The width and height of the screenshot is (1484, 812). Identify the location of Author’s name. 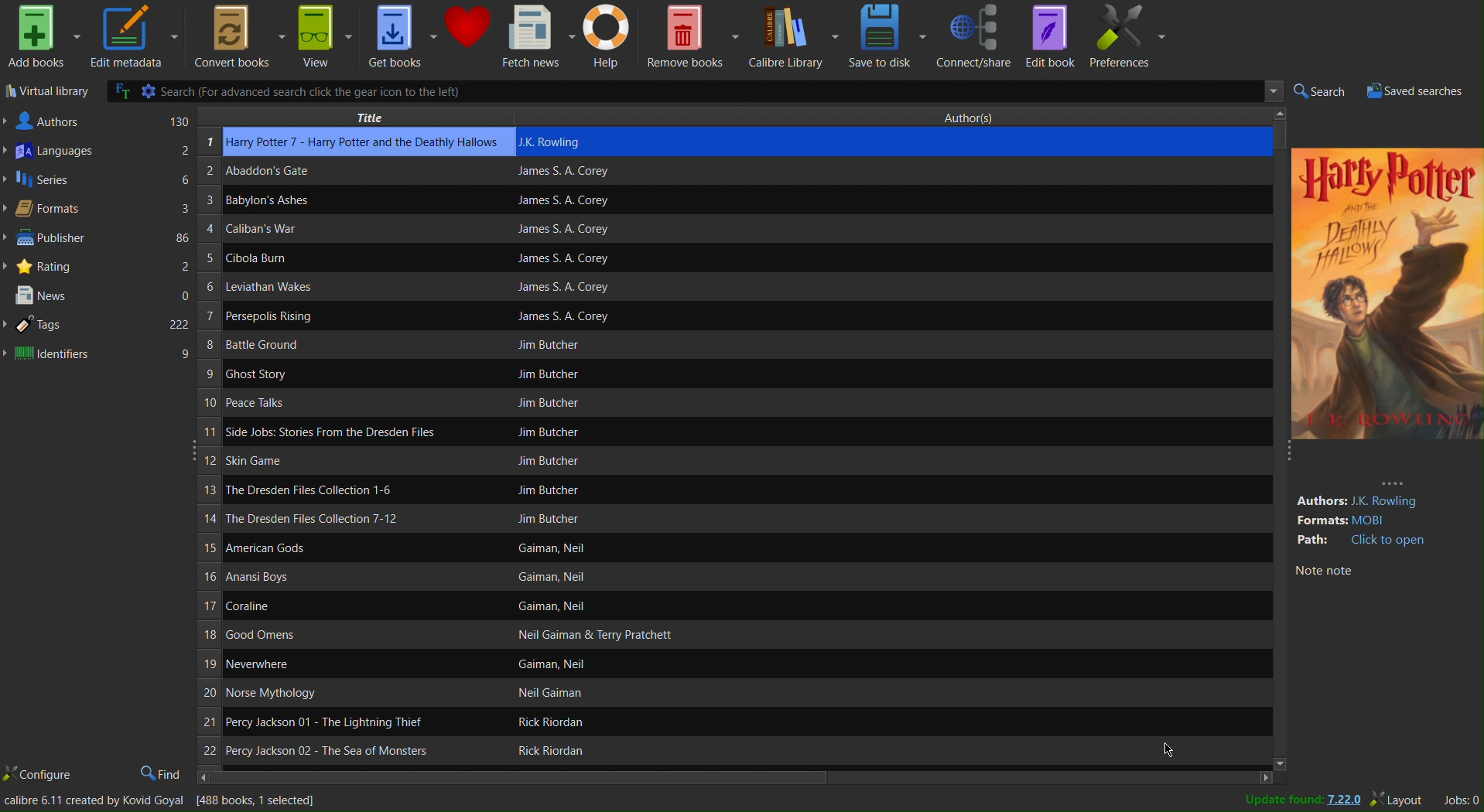
(704, 317).